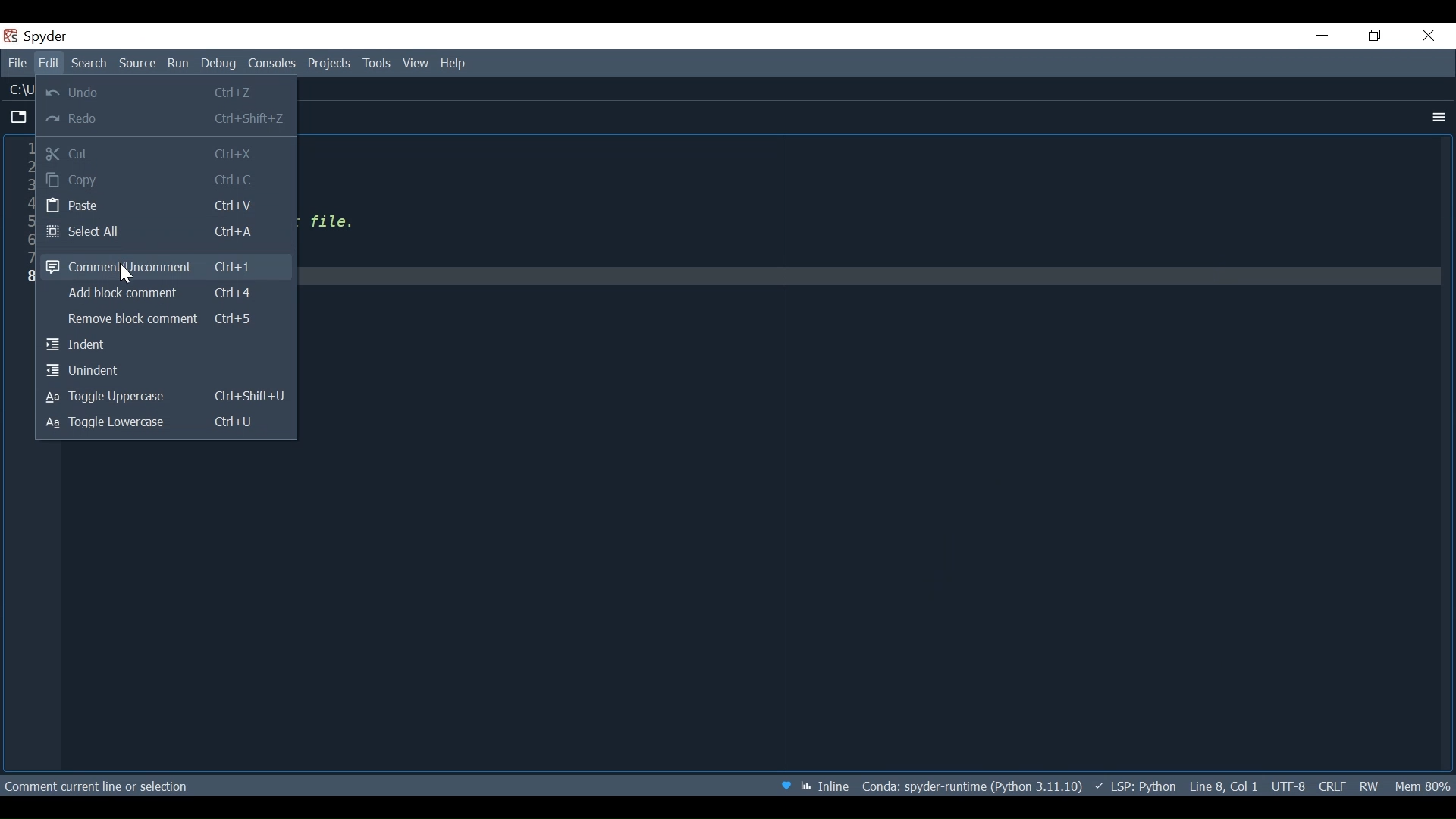 The image size is (1456, 819). I want to click on spyder, so click(47, 39).